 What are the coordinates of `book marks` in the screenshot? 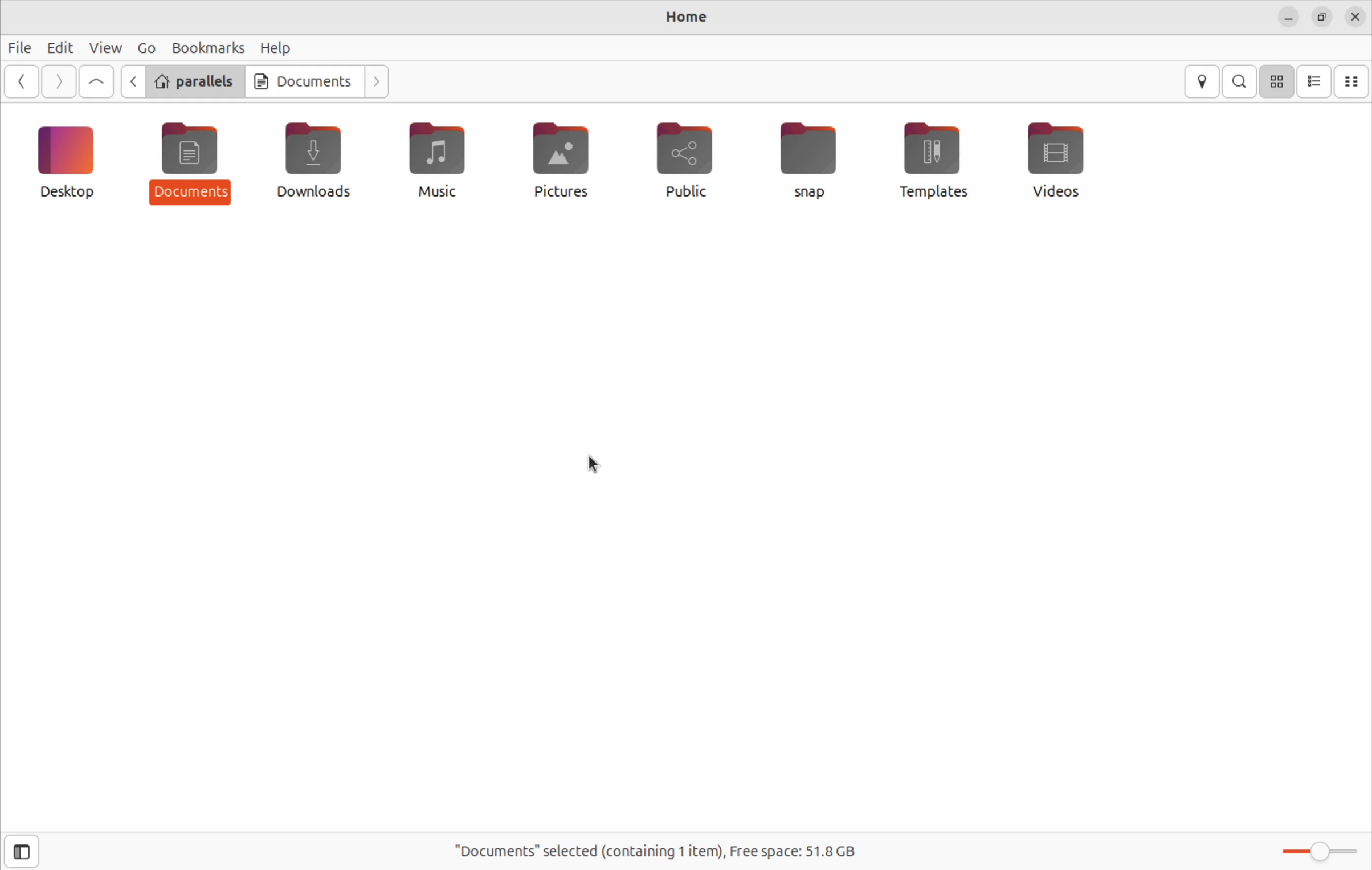 It's located at (207, 48).